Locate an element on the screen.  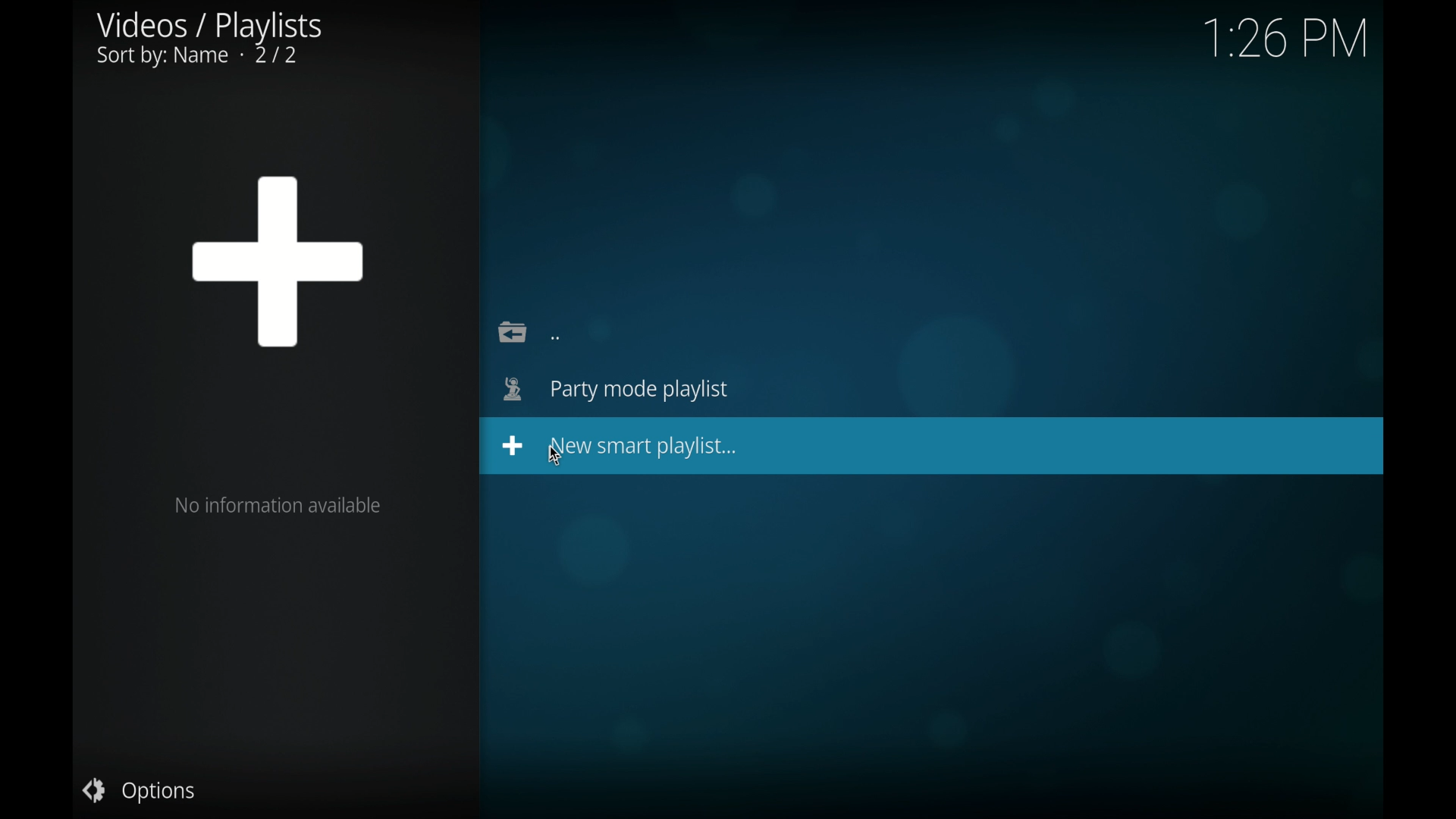
no information available is located at coordinates (278, 506).